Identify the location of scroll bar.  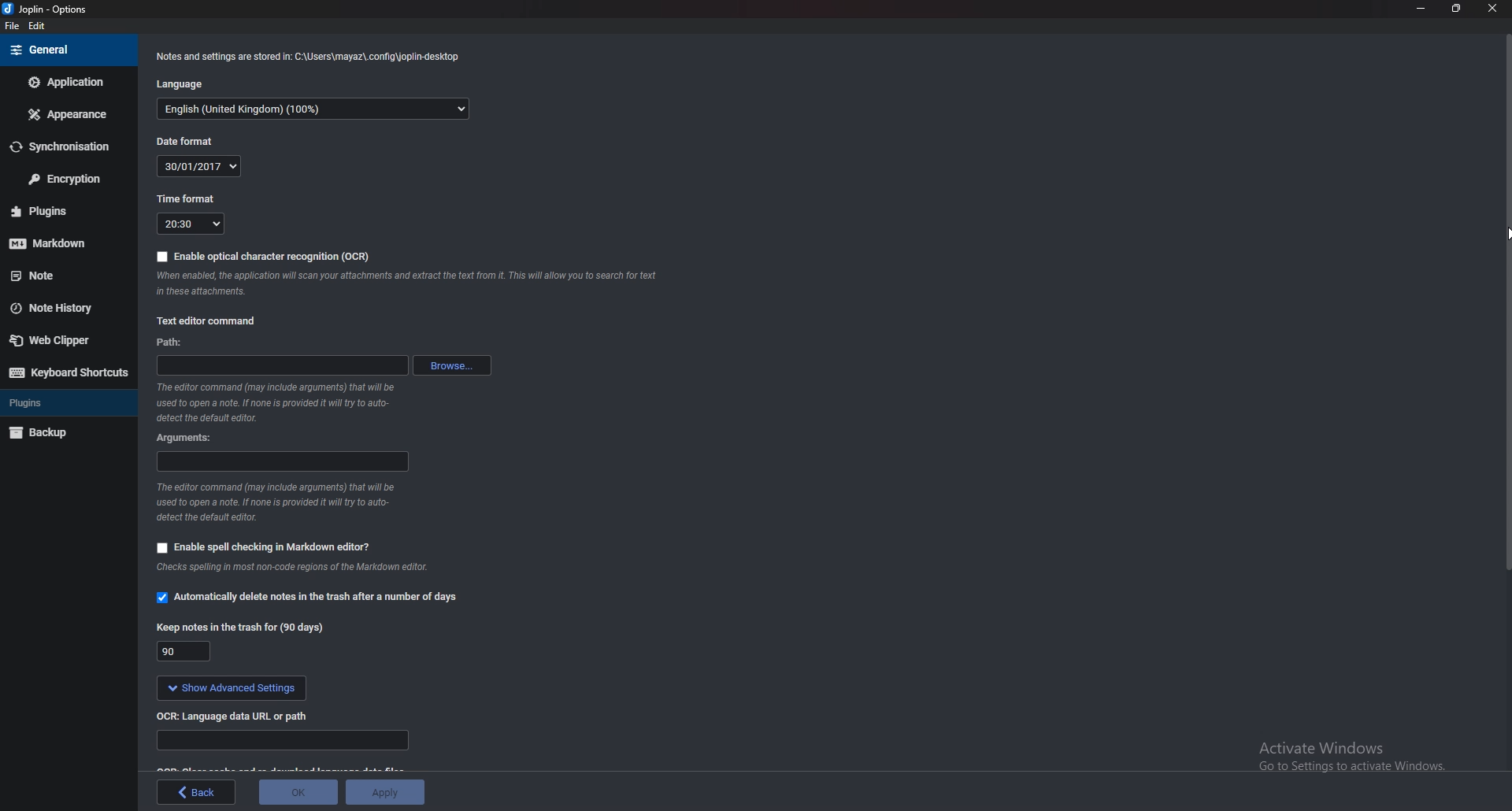
(1505, 307).